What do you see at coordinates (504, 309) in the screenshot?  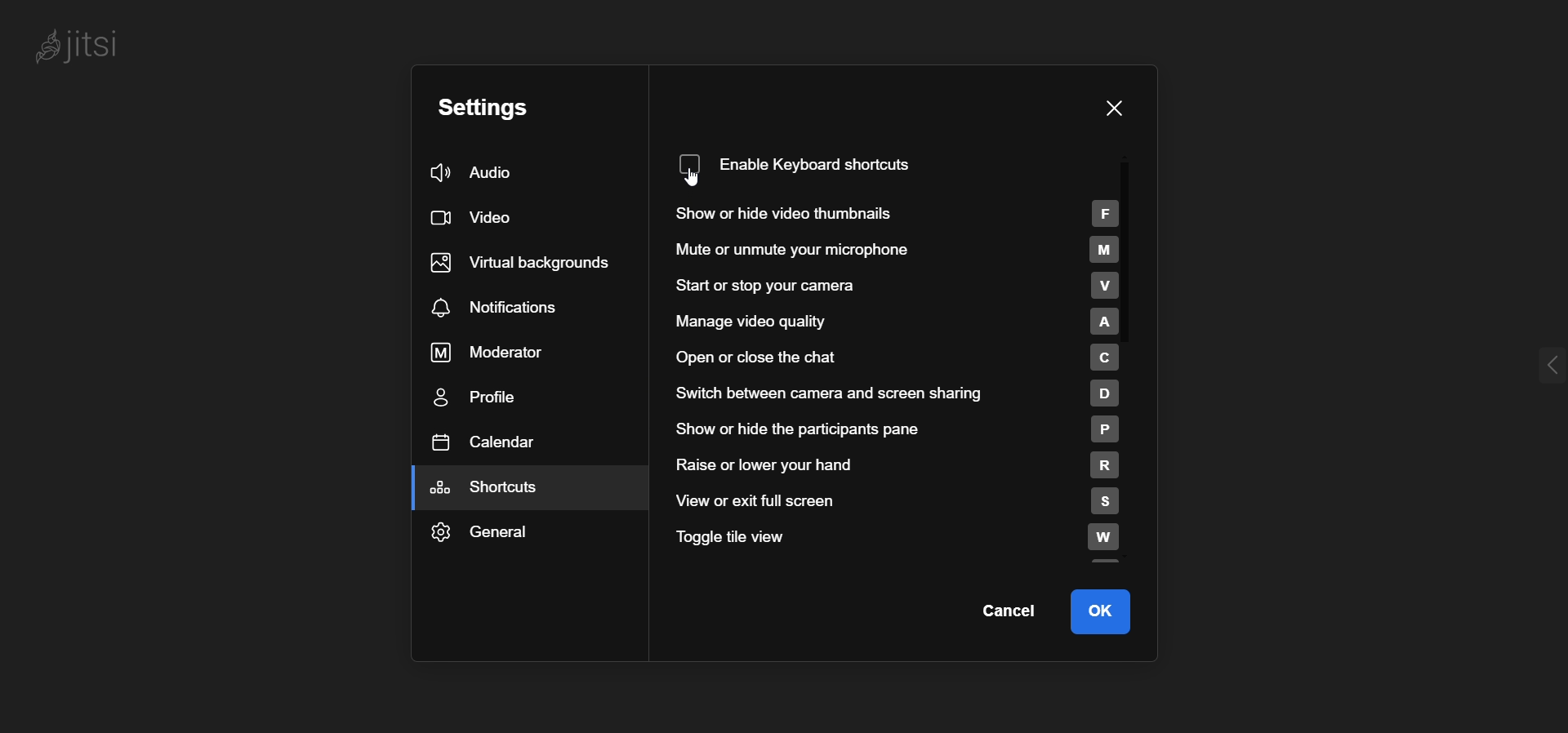 I see `notifications ` at bounding box center [504, 309].